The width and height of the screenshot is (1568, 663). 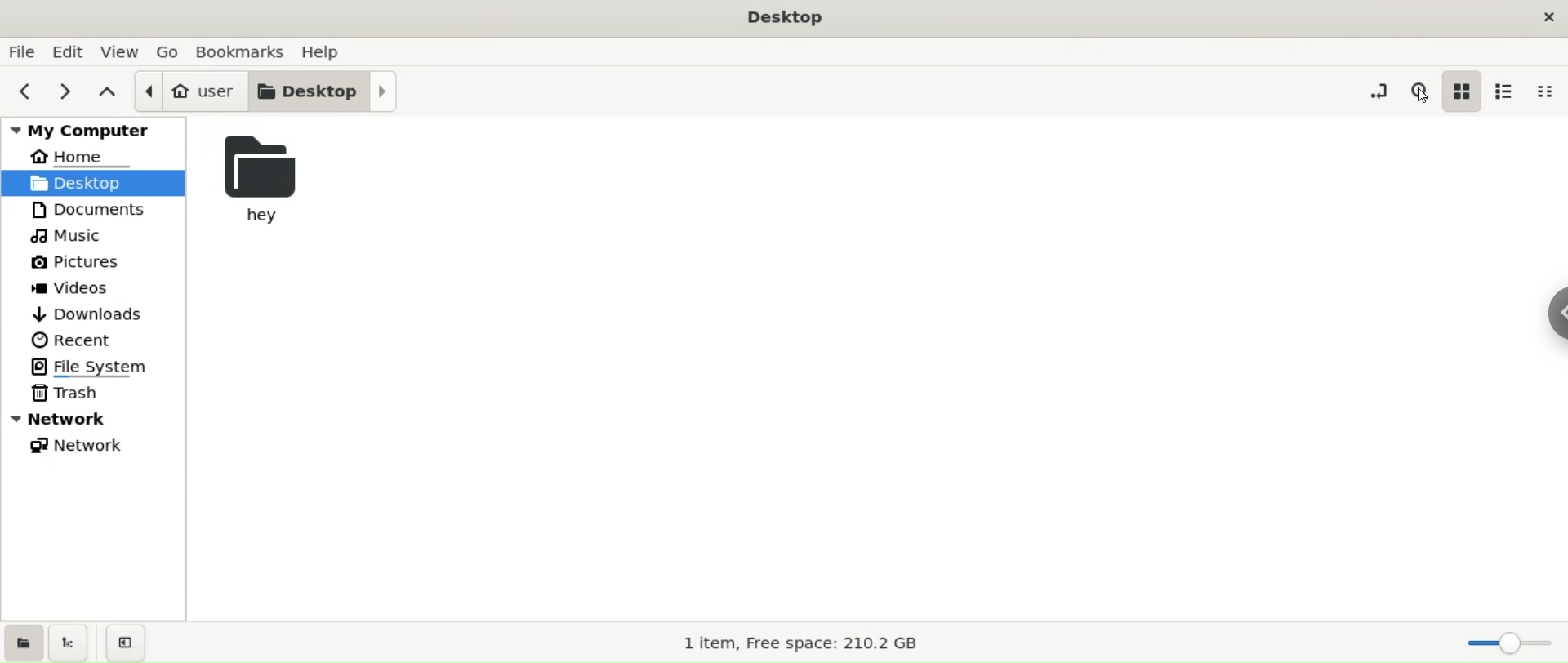 What do you see at coordinates (325, 52) in the screenshot?
I see `help` at bounding box center [325, 52].